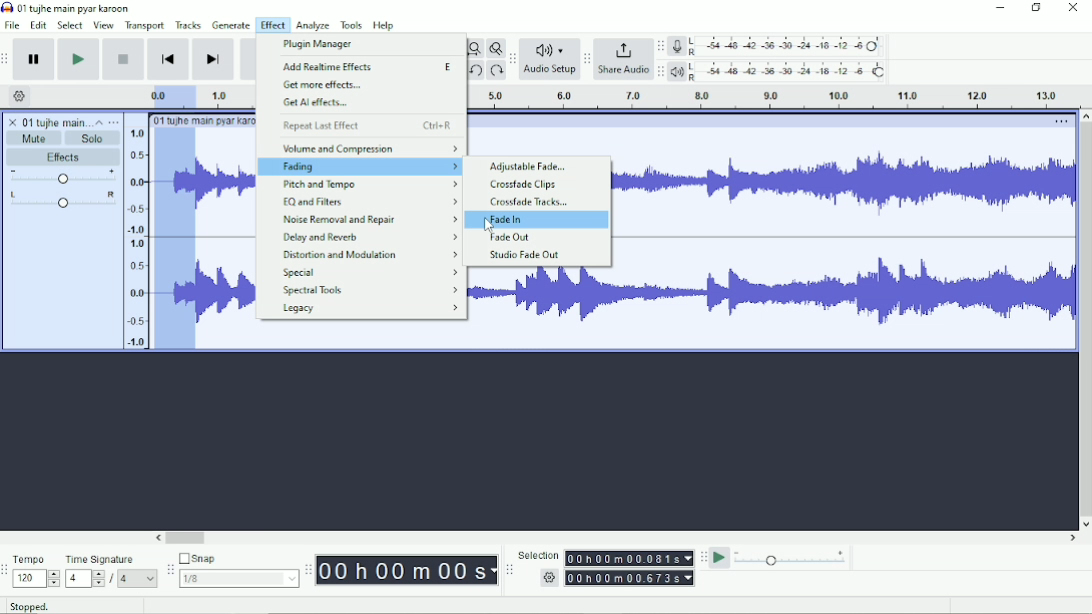 This screenshot has width=1092, height=614. I want to click on Generate, so click(232, 25).